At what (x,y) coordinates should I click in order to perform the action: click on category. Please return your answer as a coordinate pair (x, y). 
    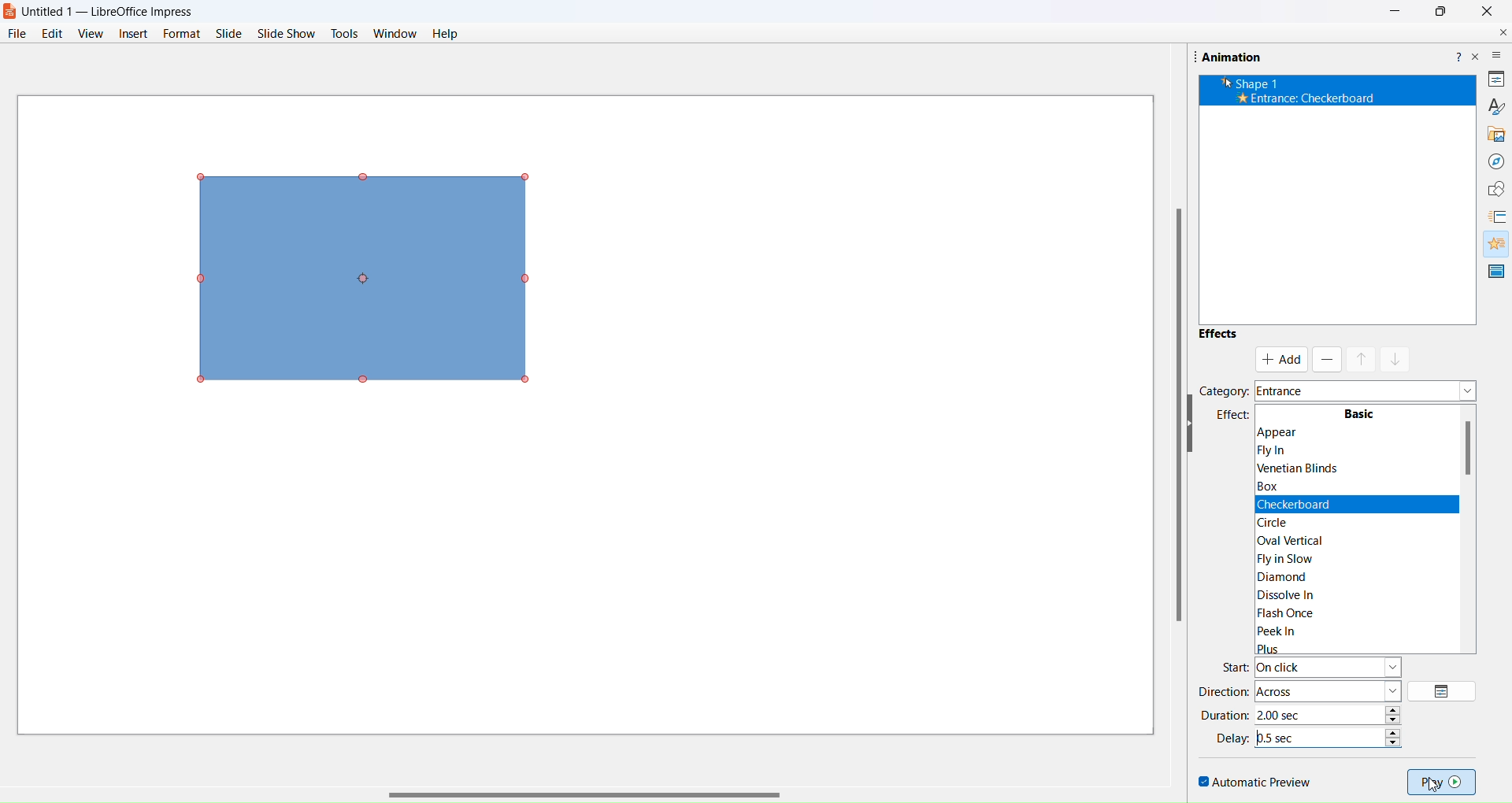
    Looking at the image, I should click on (1224, 390).